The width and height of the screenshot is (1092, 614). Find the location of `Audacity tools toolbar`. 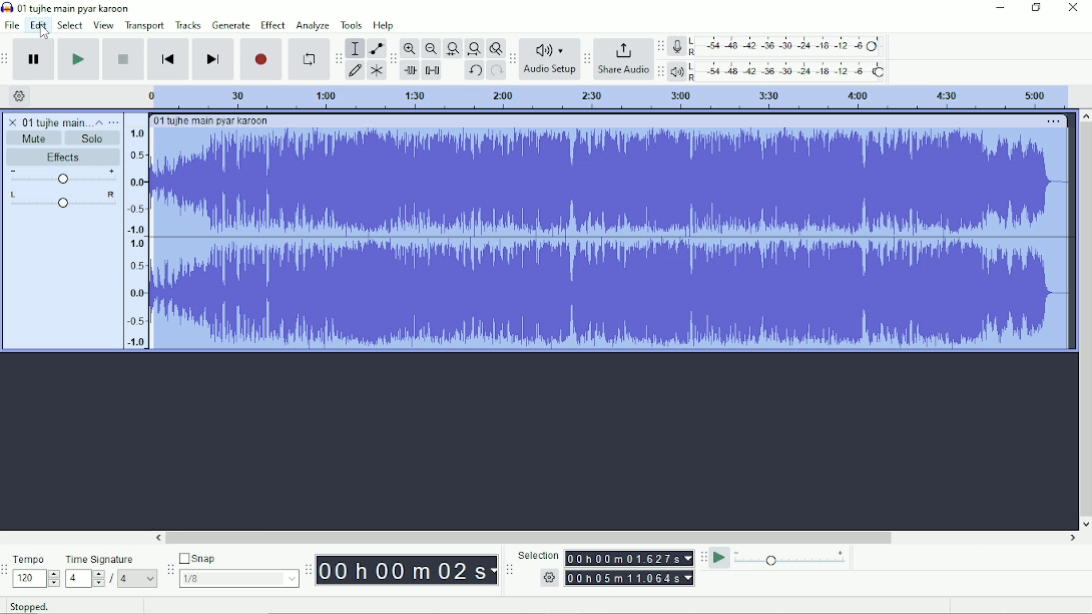

Audacity tools toolbar is located at coordinates (338, 58).